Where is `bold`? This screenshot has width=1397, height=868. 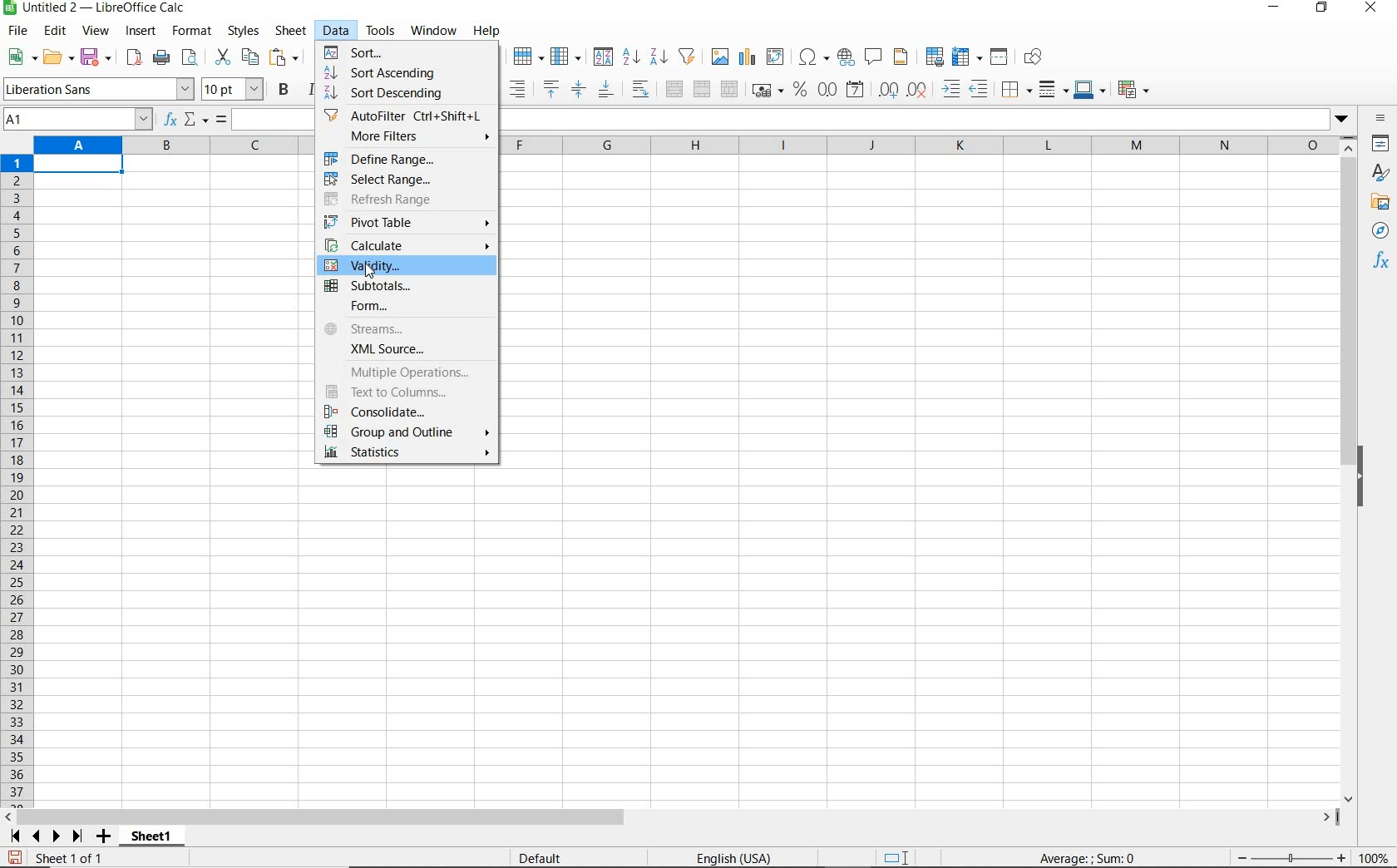 bold is located at coordinates (285, 89).